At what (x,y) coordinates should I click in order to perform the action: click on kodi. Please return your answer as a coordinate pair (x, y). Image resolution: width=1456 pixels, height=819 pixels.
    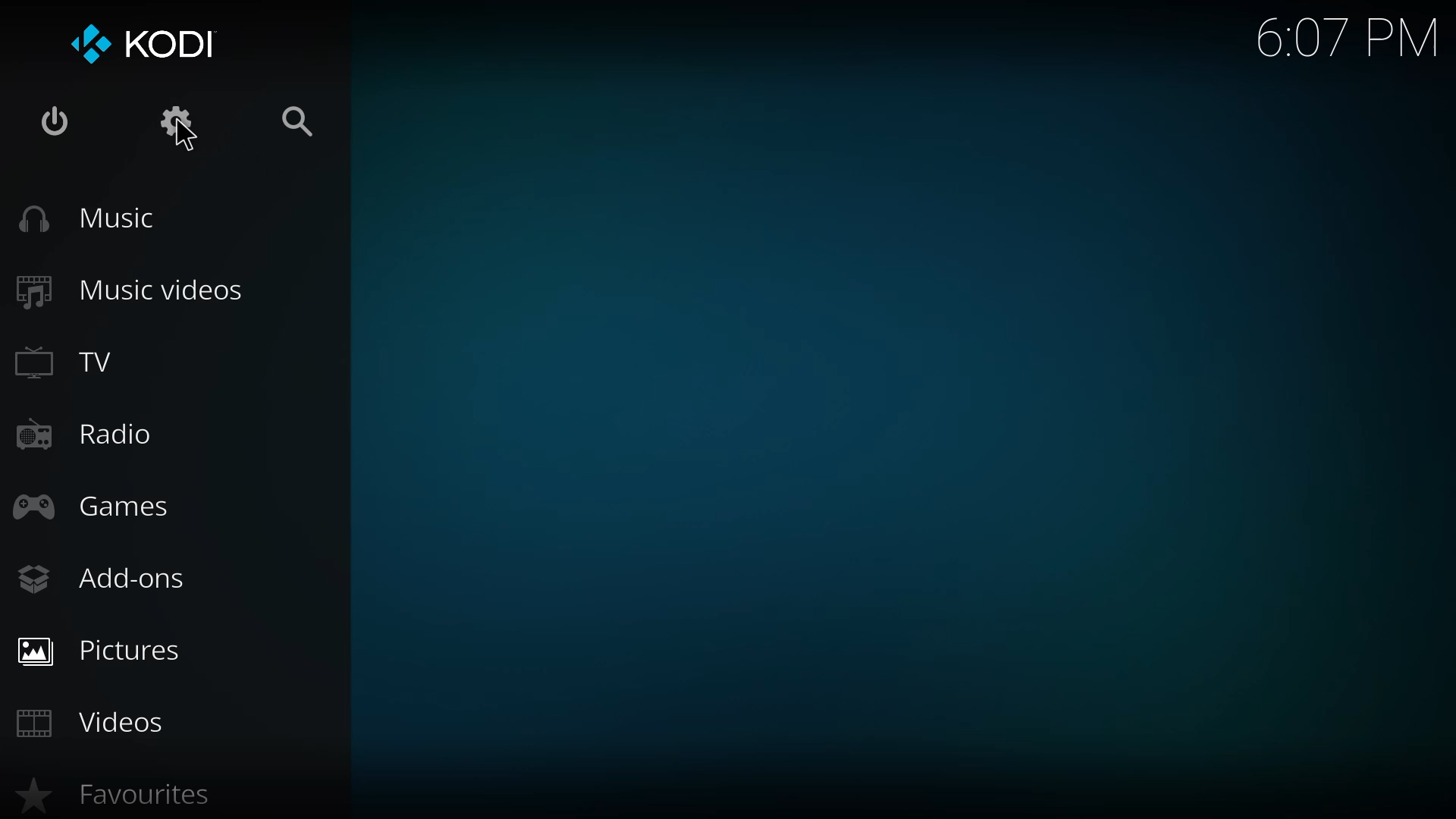
    Looking at the image, I should click on (174, 45).